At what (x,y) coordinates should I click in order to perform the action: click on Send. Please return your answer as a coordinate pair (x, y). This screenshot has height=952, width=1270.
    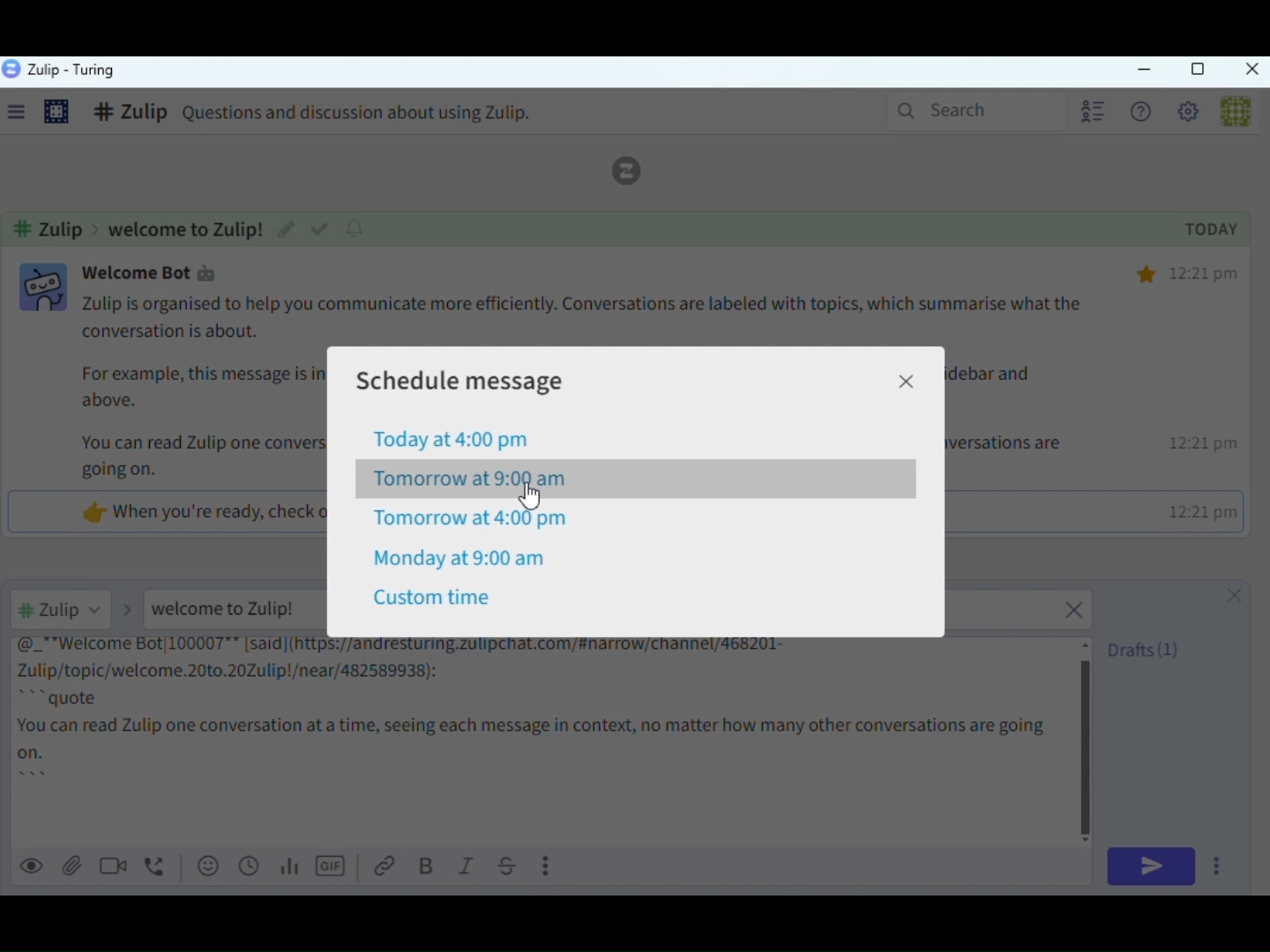
    Looking at the image, I should click on (1150, 867).